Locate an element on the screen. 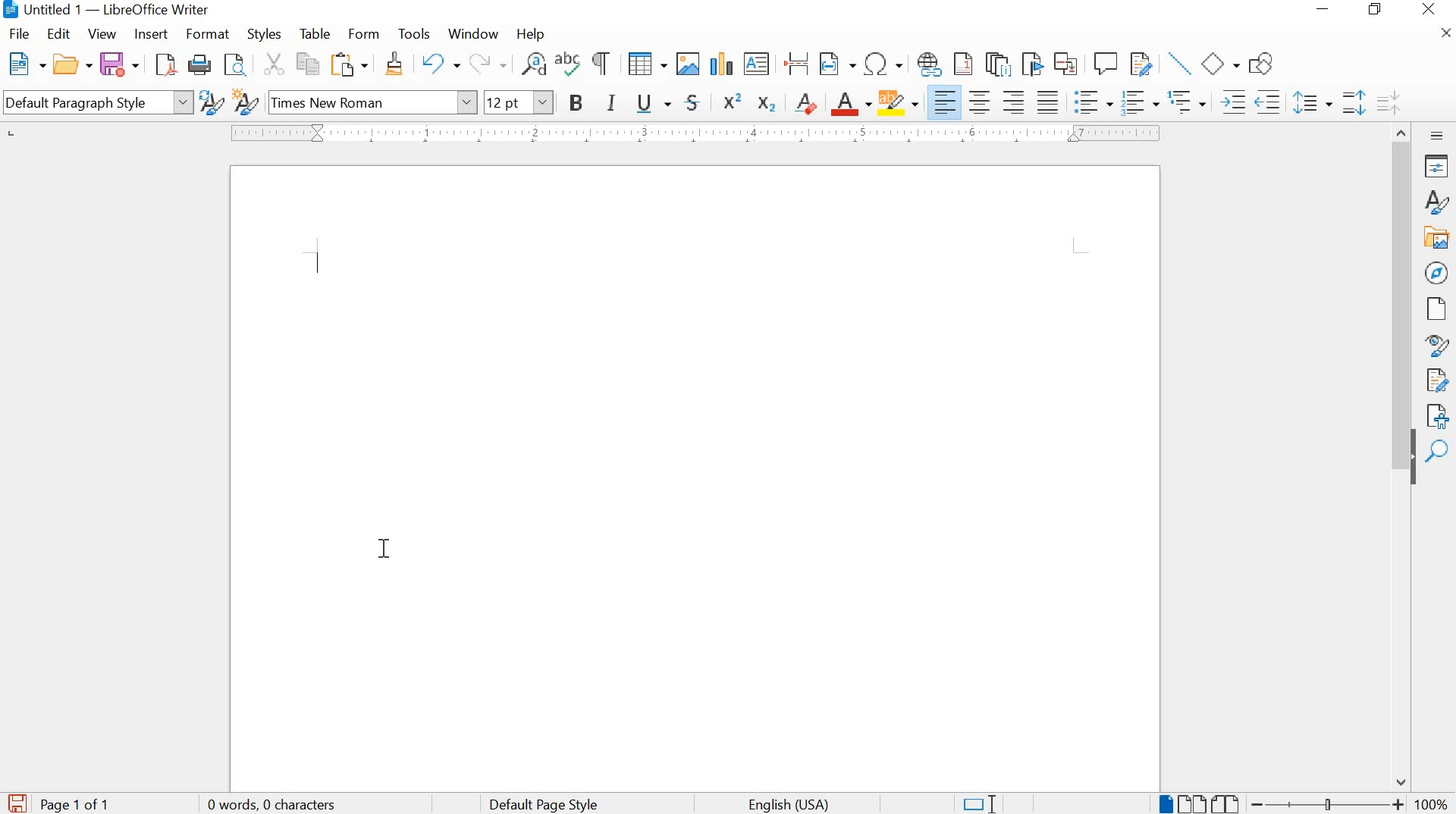 Image resolution: width=1456 pixels, height=814 pixels. WINDOW is located at coordinates (472, 35).